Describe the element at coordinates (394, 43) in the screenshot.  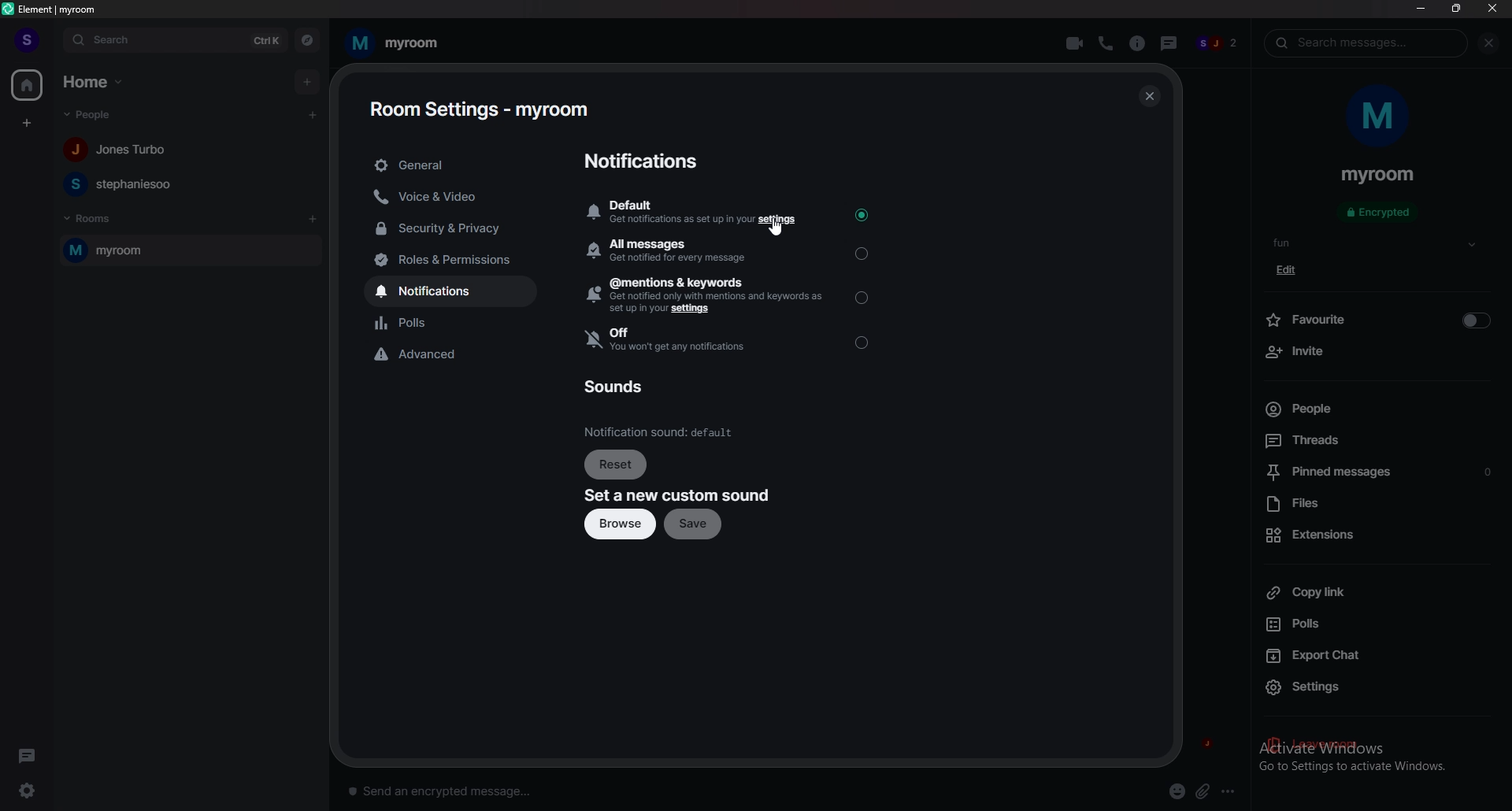
I see `room name` at that location.